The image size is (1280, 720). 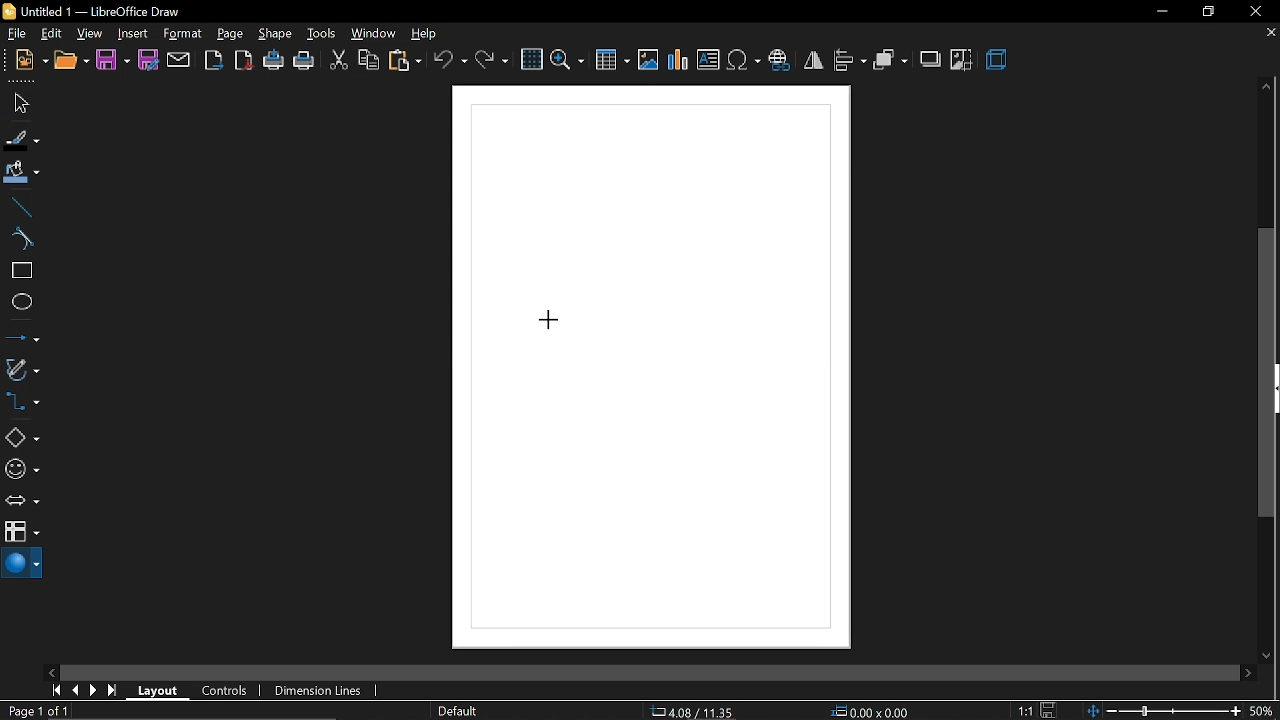 I want to click on curves and polygons, so click(x=22, y=367).